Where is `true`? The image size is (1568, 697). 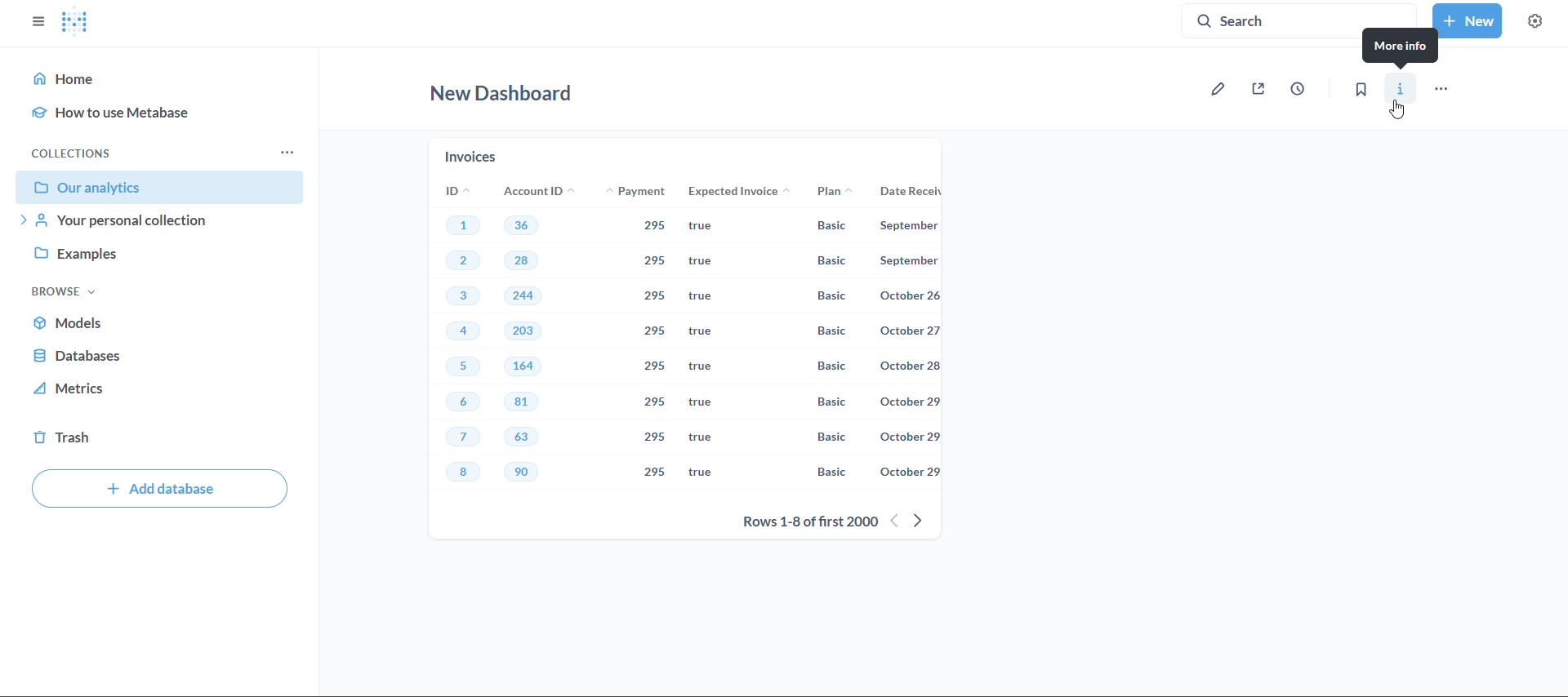 true is located at coordinates (698, 437).